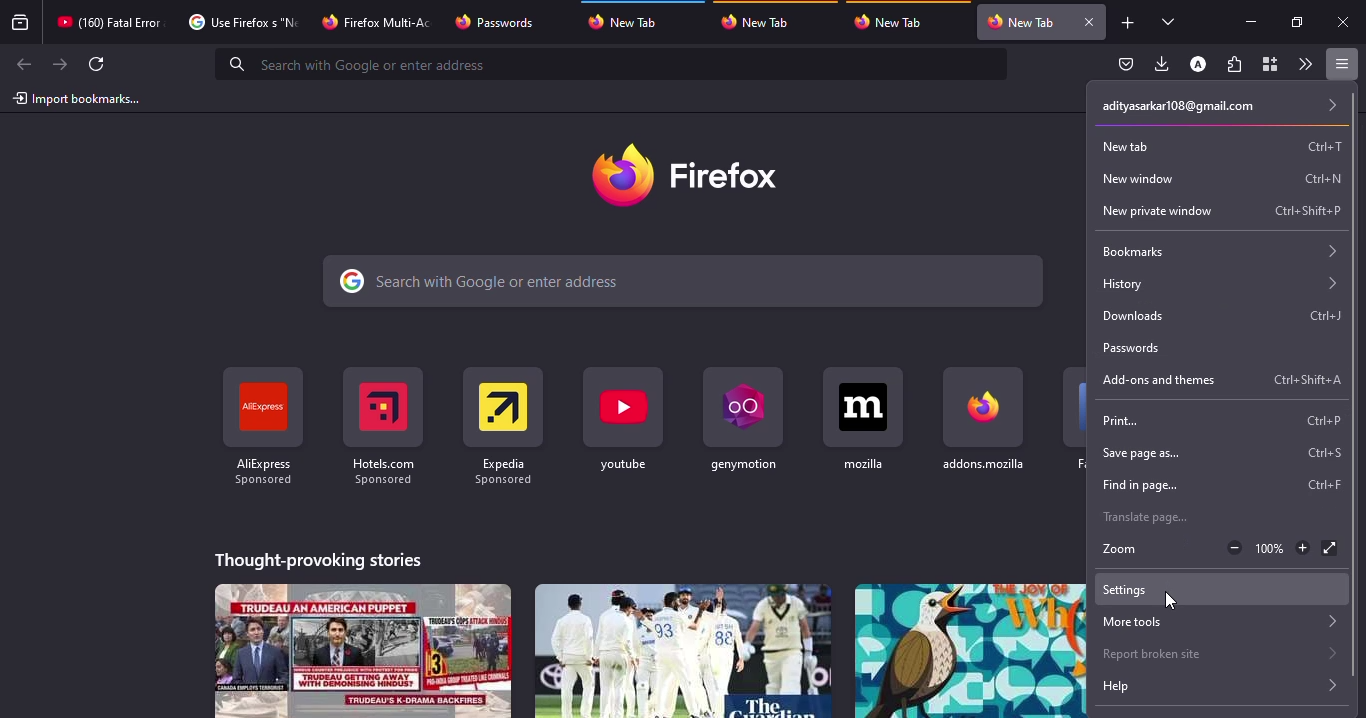 The height and width of the screenshot is (718, 1366). What do you see at coordinates (1214, 687) in the screenshot?
I see `help` at bounding box center [1214, 687].